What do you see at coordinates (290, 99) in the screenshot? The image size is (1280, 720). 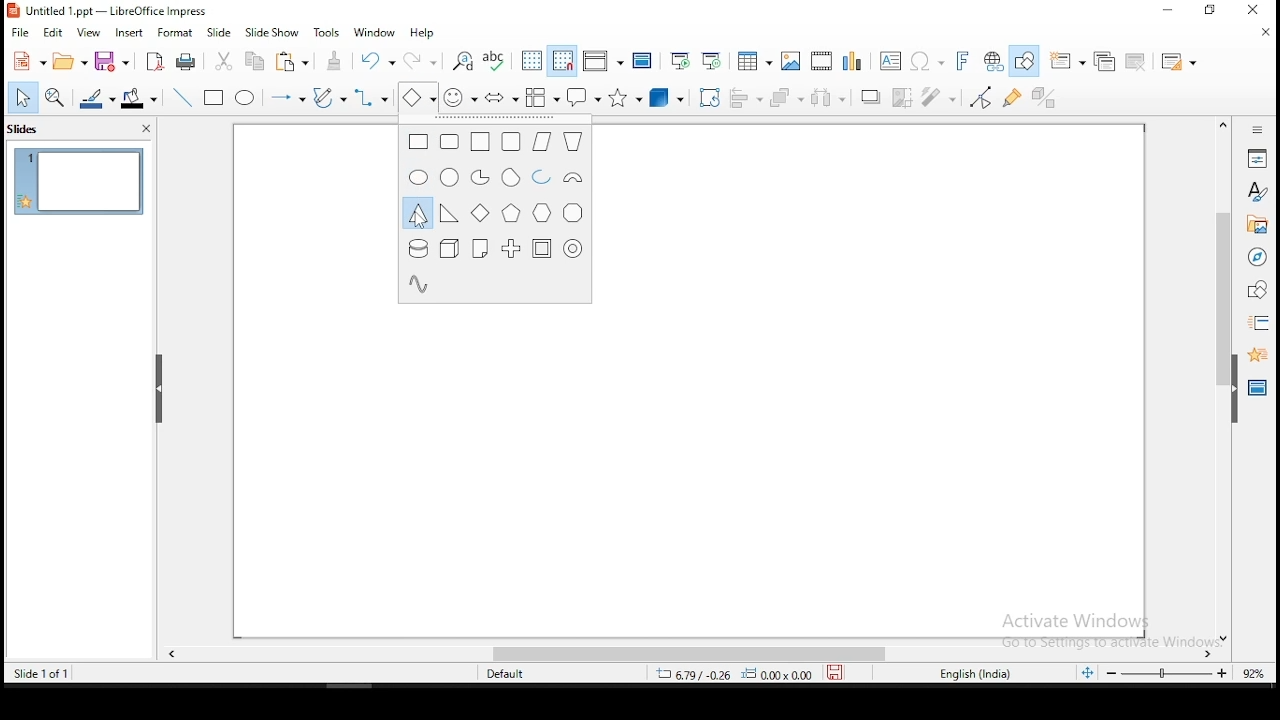 I see `lines and arrows` at bounding box center [290, 99].